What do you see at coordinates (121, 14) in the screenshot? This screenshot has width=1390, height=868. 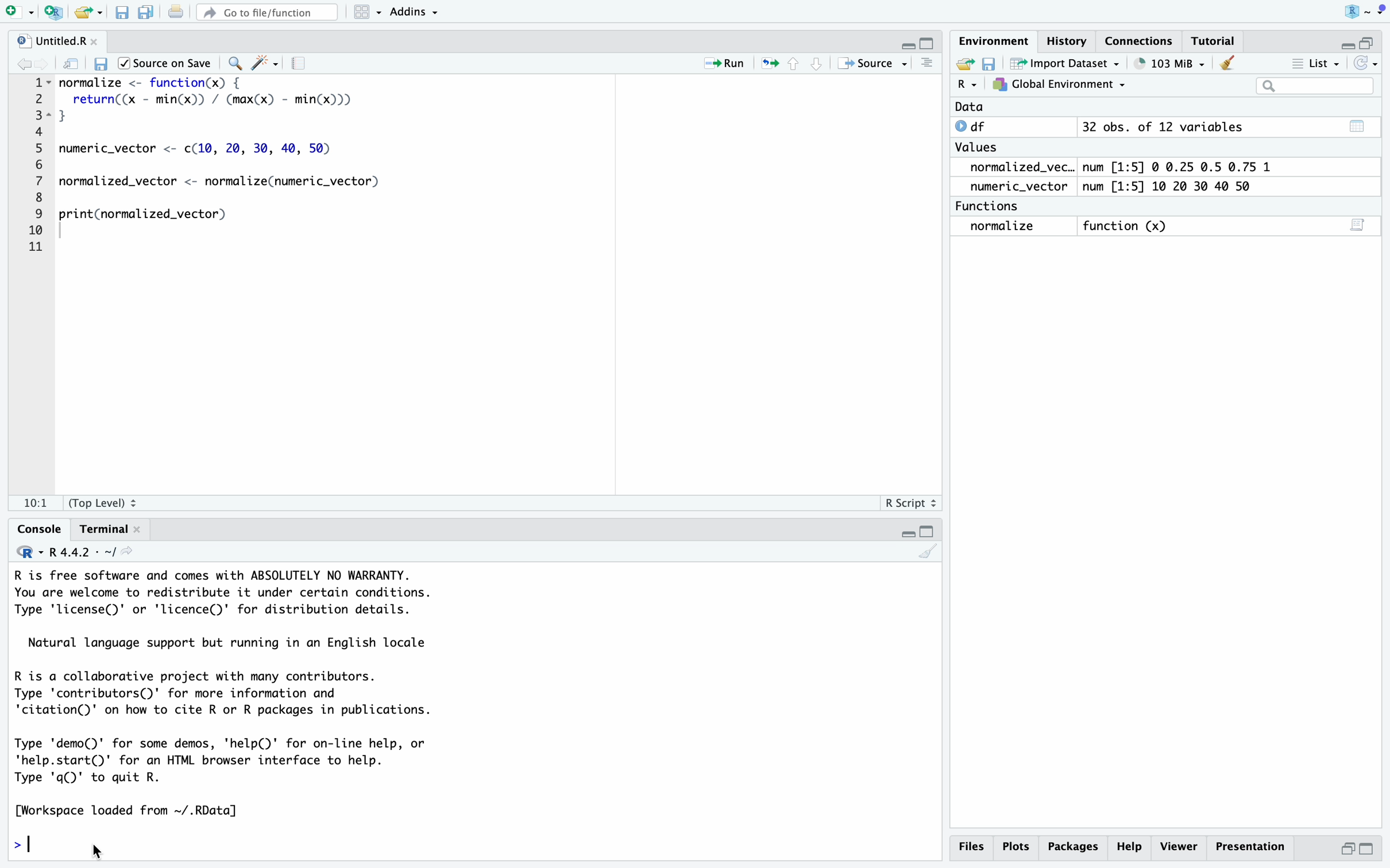 I see `Save current document (Ctrl + S)` at bounding box center [121, 14].